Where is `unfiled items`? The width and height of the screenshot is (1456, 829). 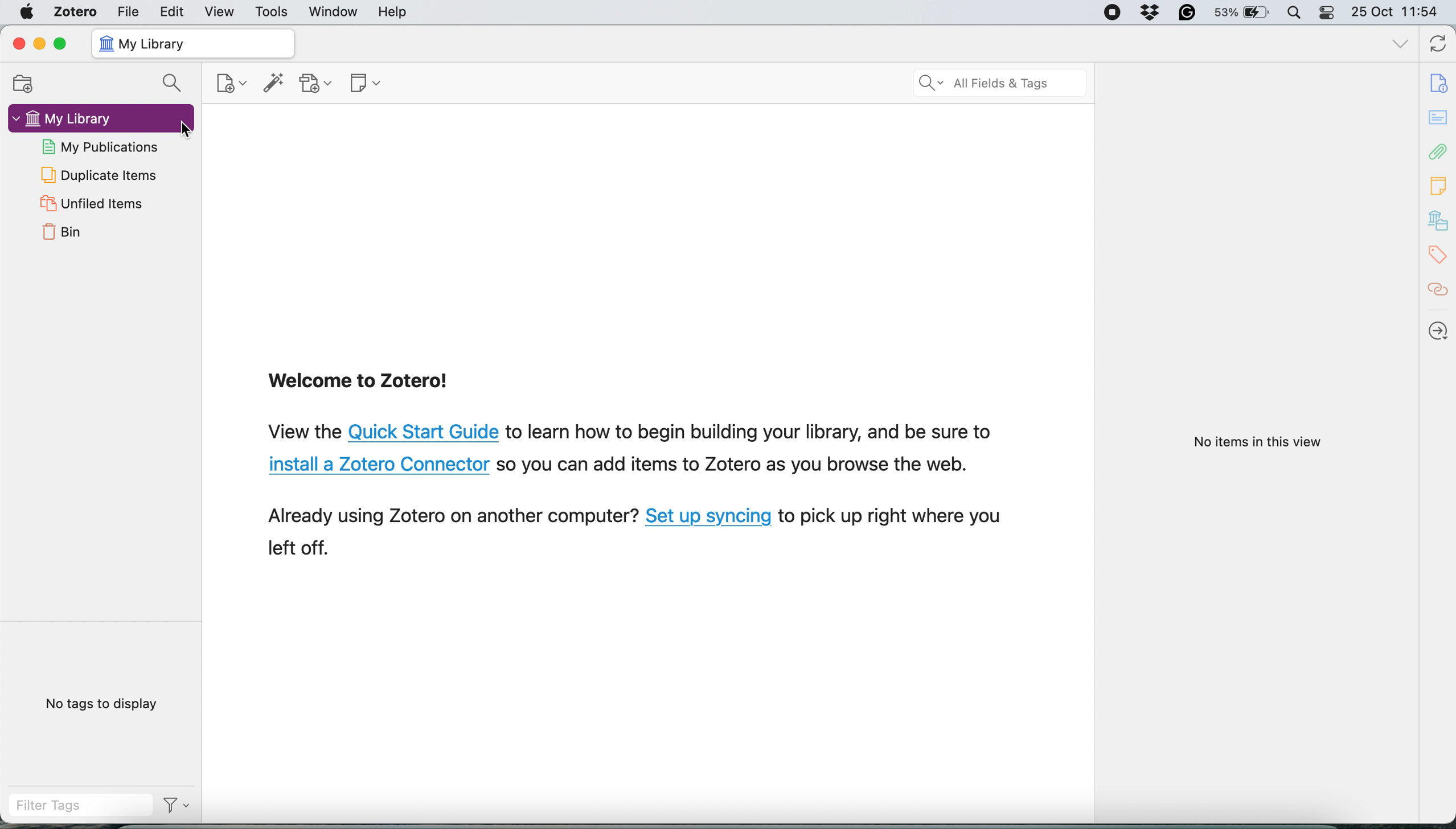 unfiled items is located at coordinates (89, 204).